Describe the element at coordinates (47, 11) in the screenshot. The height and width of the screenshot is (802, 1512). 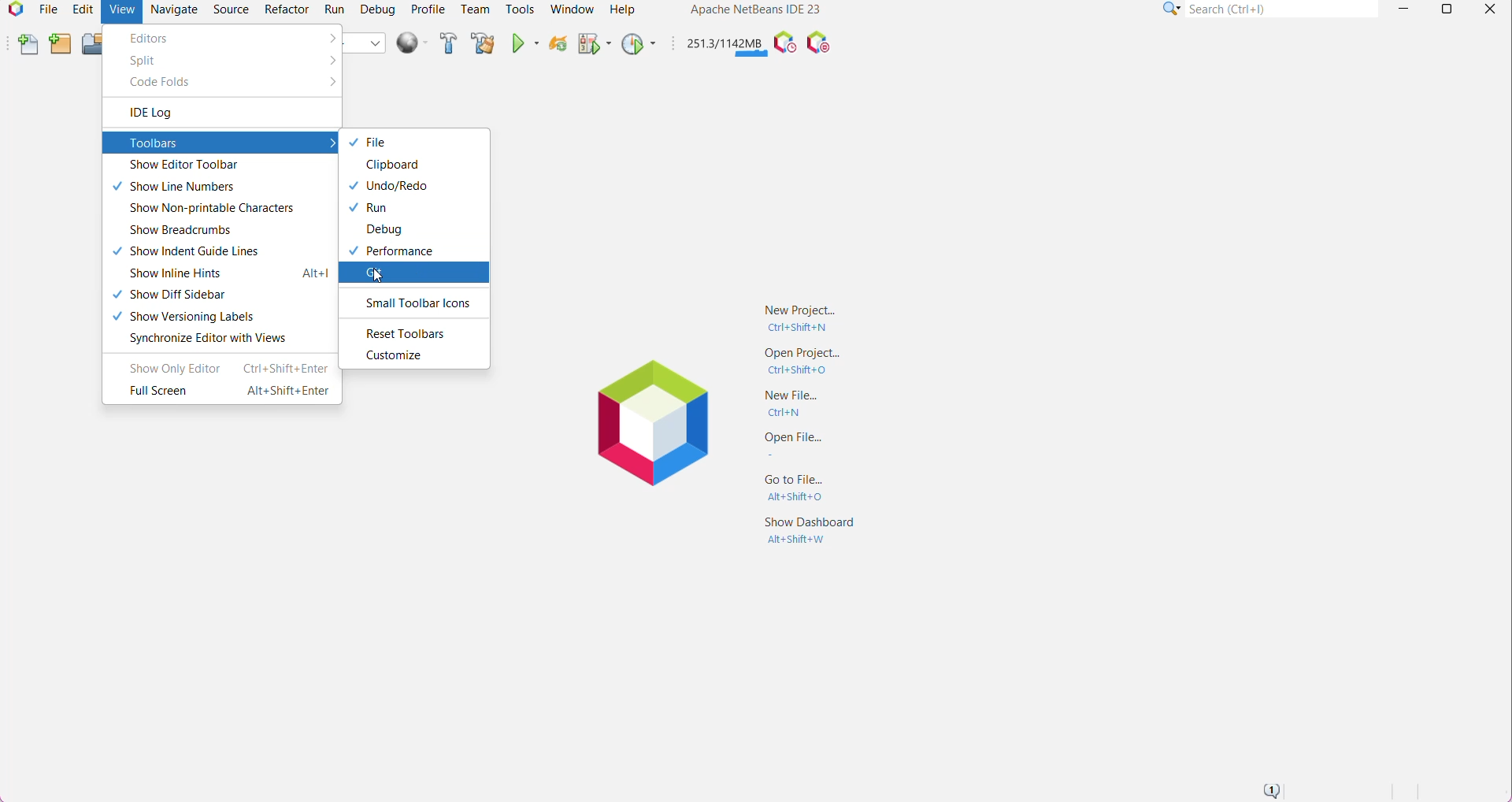
I see `File` at that location.